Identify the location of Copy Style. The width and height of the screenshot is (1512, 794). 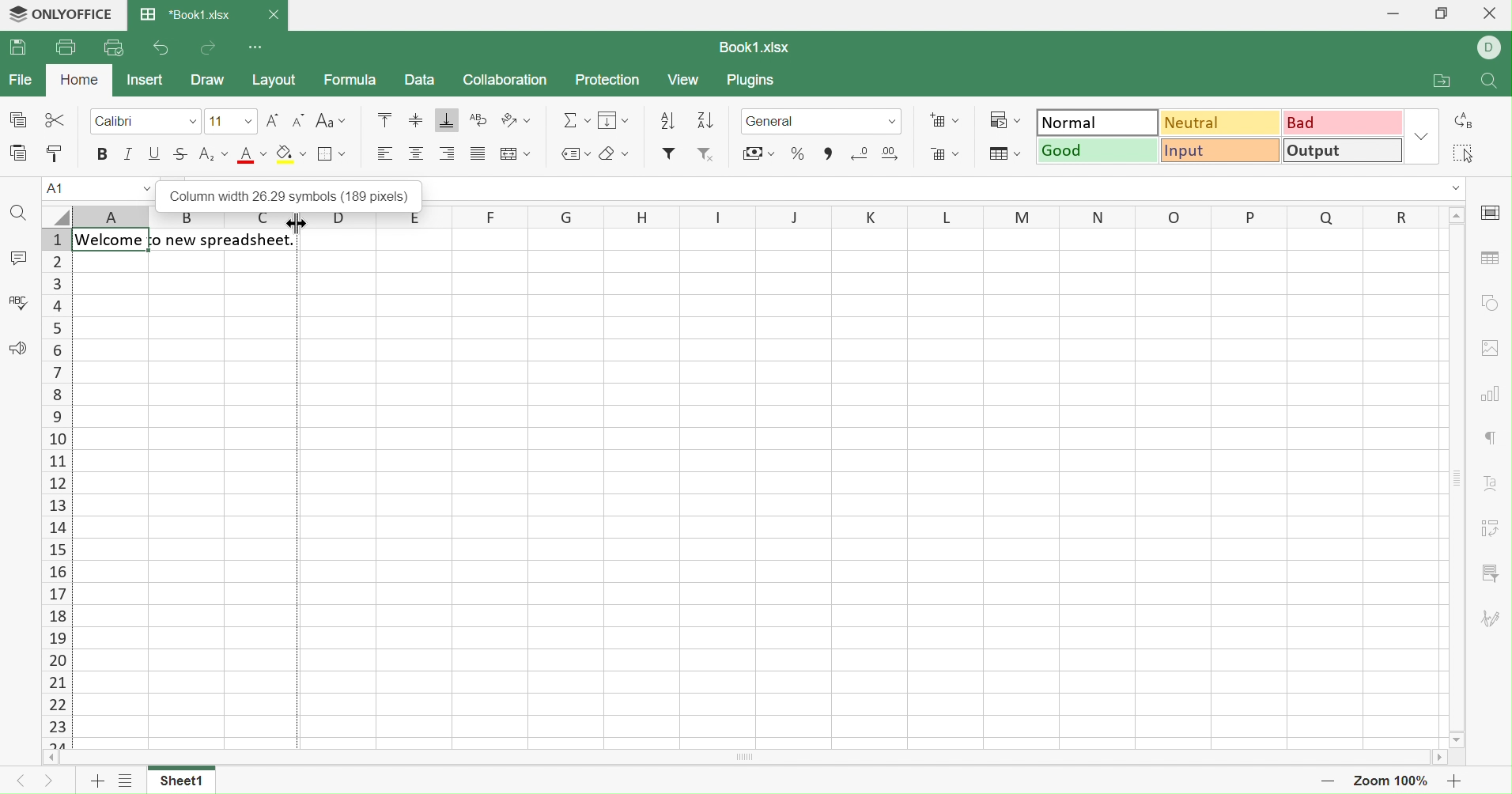
(57, 153).